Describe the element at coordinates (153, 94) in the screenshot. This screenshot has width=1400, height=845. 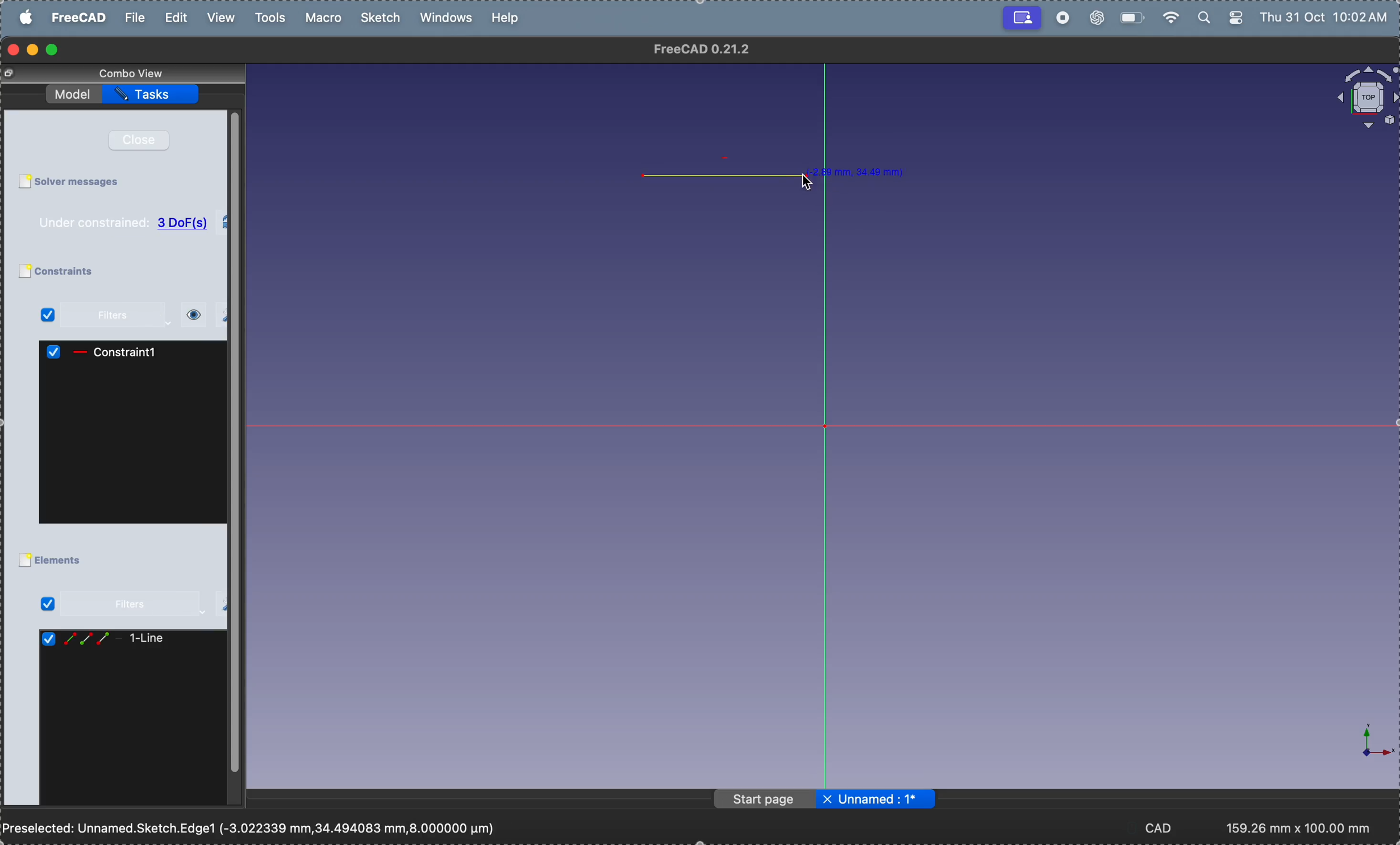
I see `task` at that location.